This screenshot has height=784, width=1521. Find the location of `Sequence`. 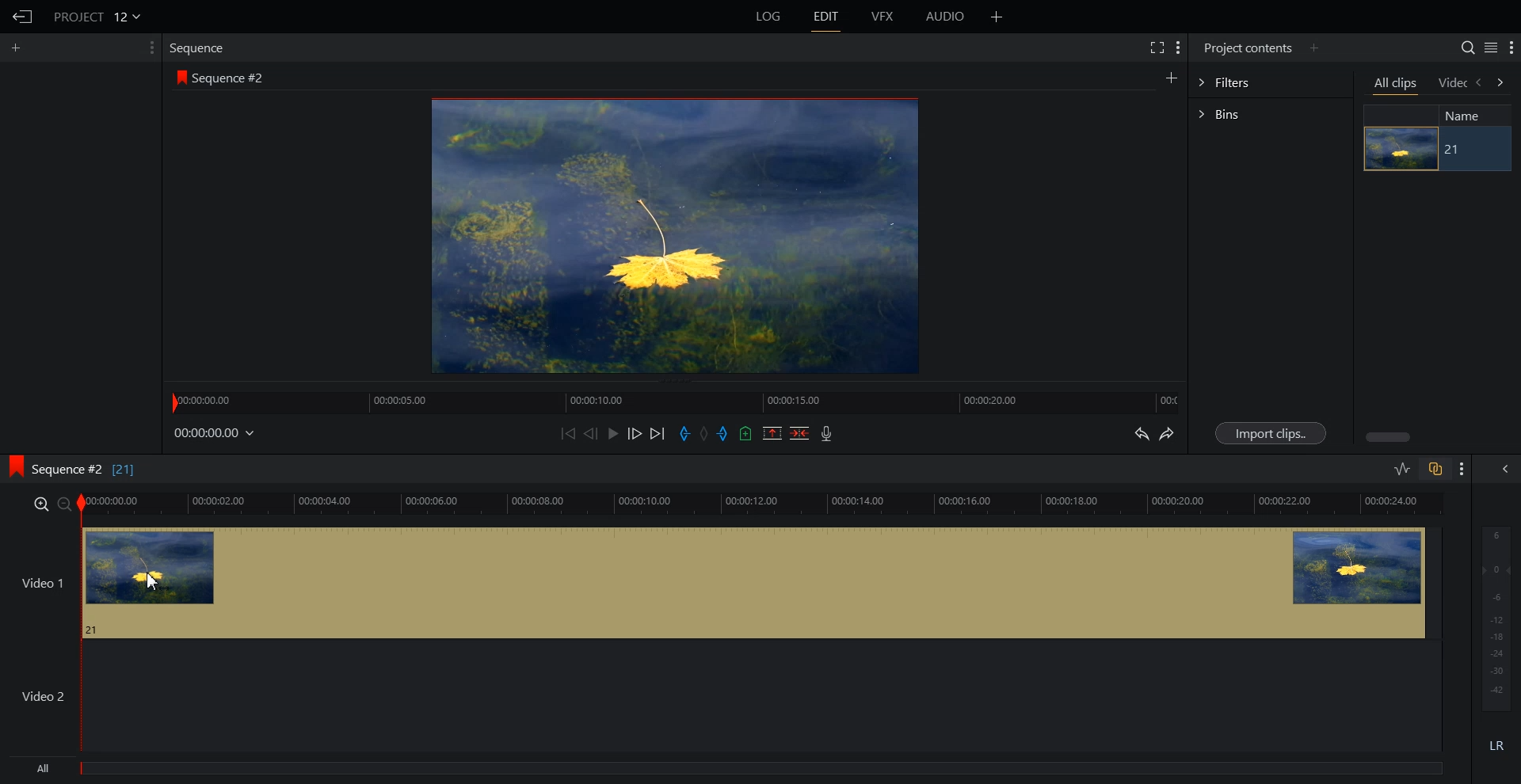

Sequence is located at coordinates (200, 47).